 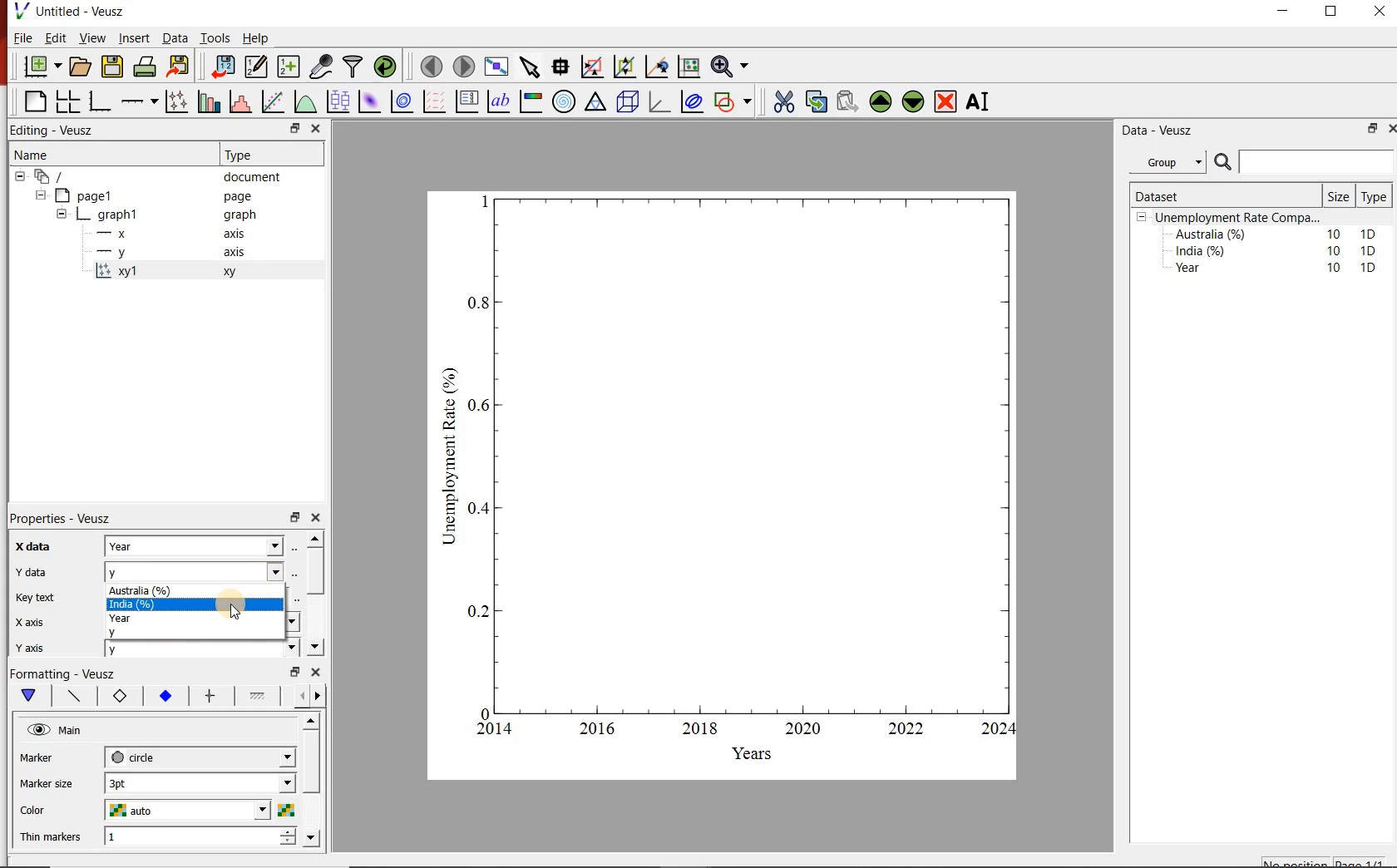 What do you see at coordinates (295, 670) in the screenshot?
I see `minimise` at bounding box center [295, 670].